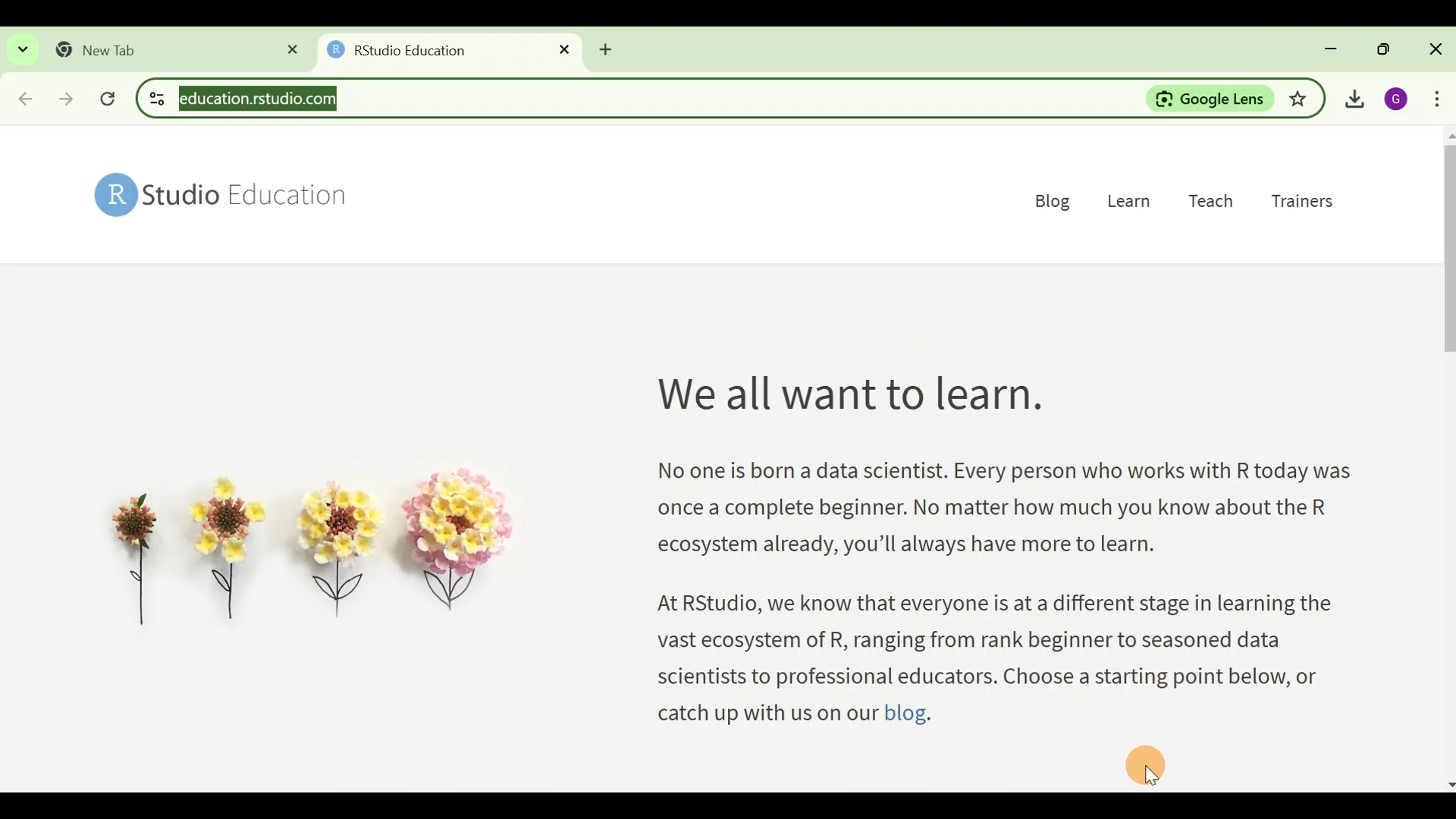  I want to click on Close tab, so click(286, 49).